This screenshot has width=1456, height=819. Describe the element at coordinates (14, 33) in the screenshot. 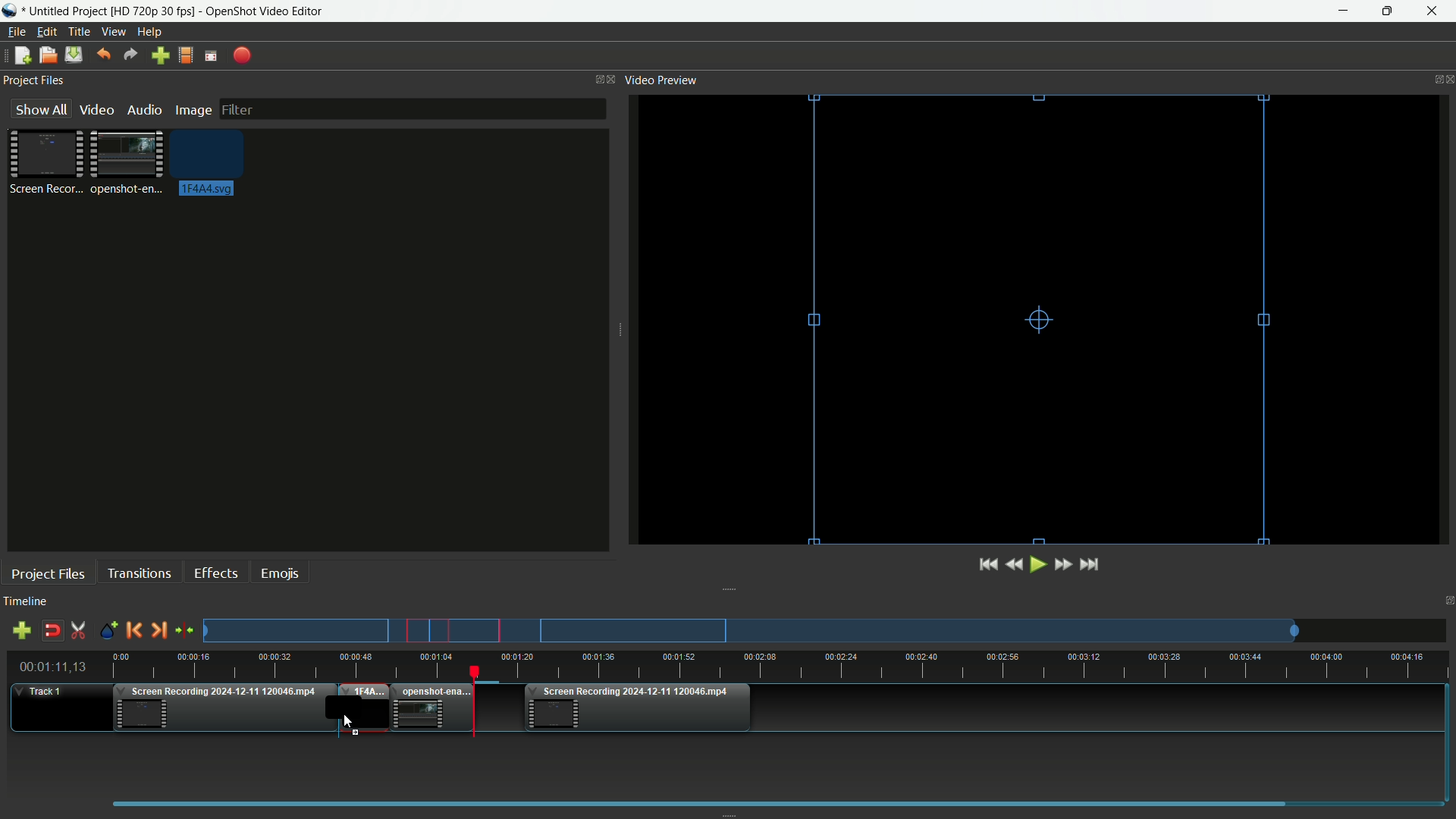

I see `File menu` at that location.